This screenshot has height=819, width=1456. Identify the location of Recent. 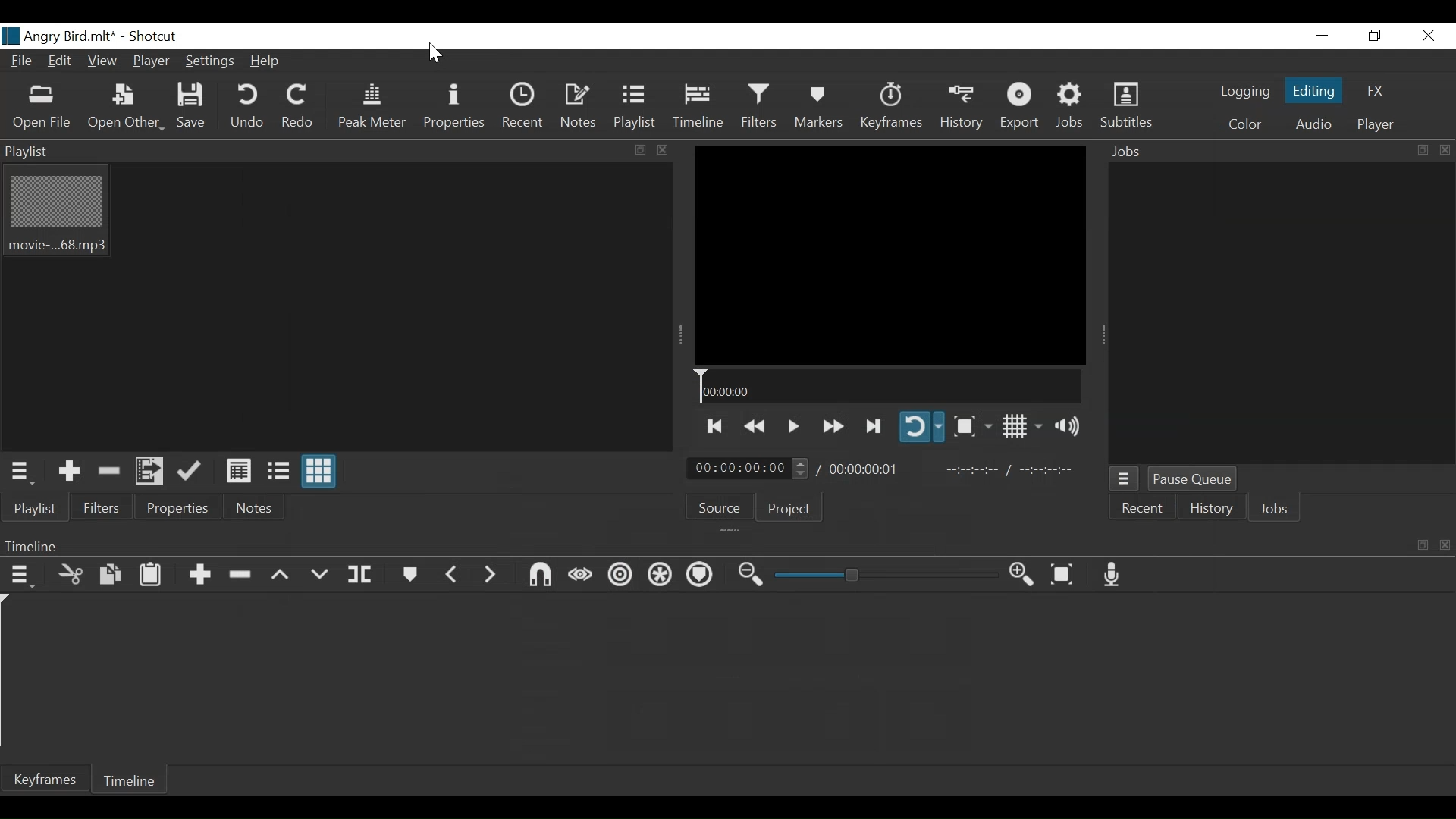
(525, 105).